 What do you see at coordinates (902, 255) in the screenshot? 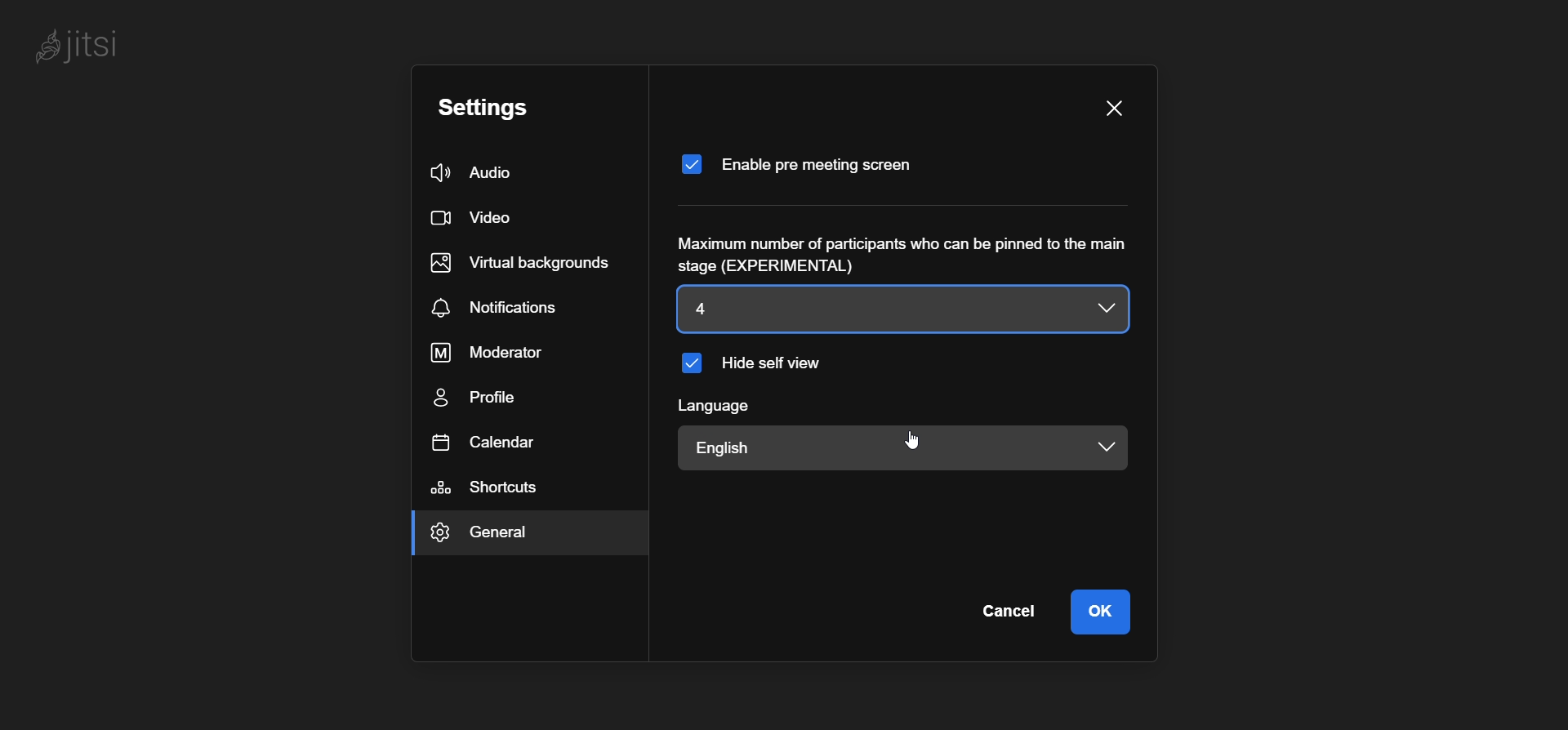
I see `Maximum number of participants who can be pinned to the main
stage (EXPERIMENTAL)` at bounding box center [902, 255].